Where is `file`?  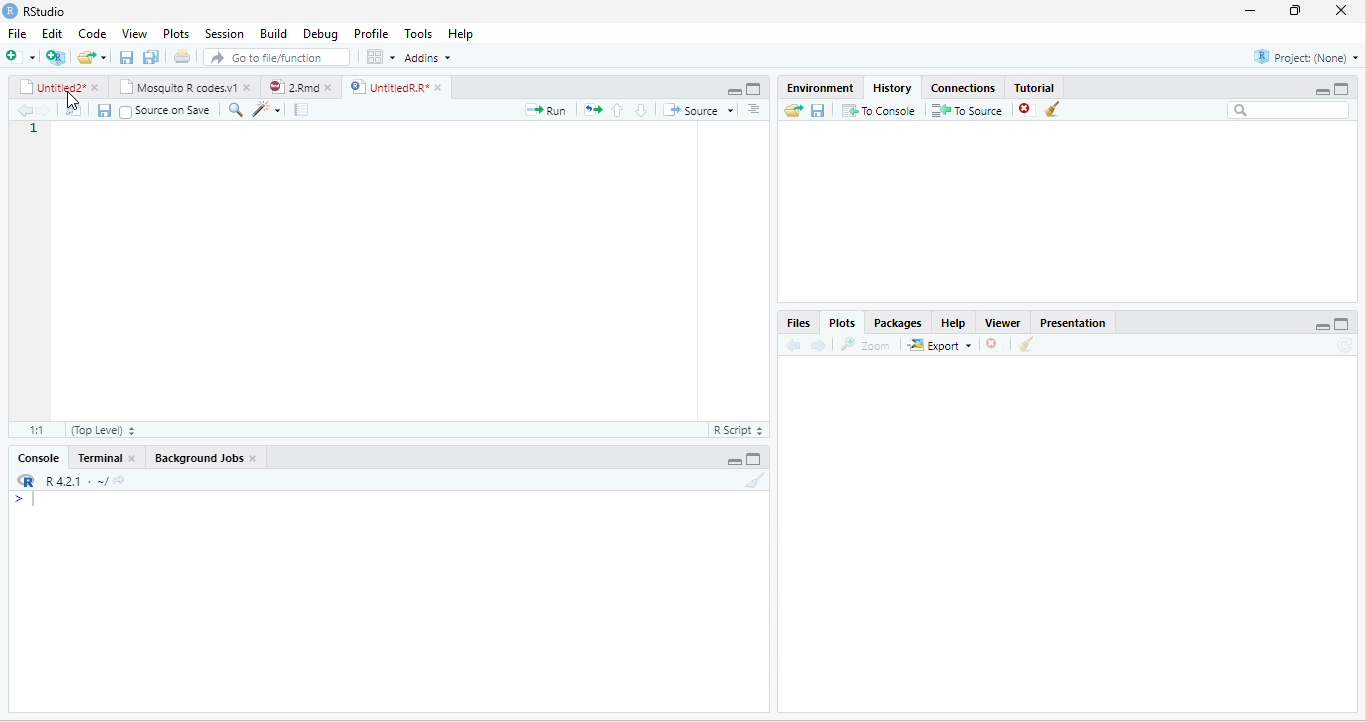
file is located at coordinates (17, 33).